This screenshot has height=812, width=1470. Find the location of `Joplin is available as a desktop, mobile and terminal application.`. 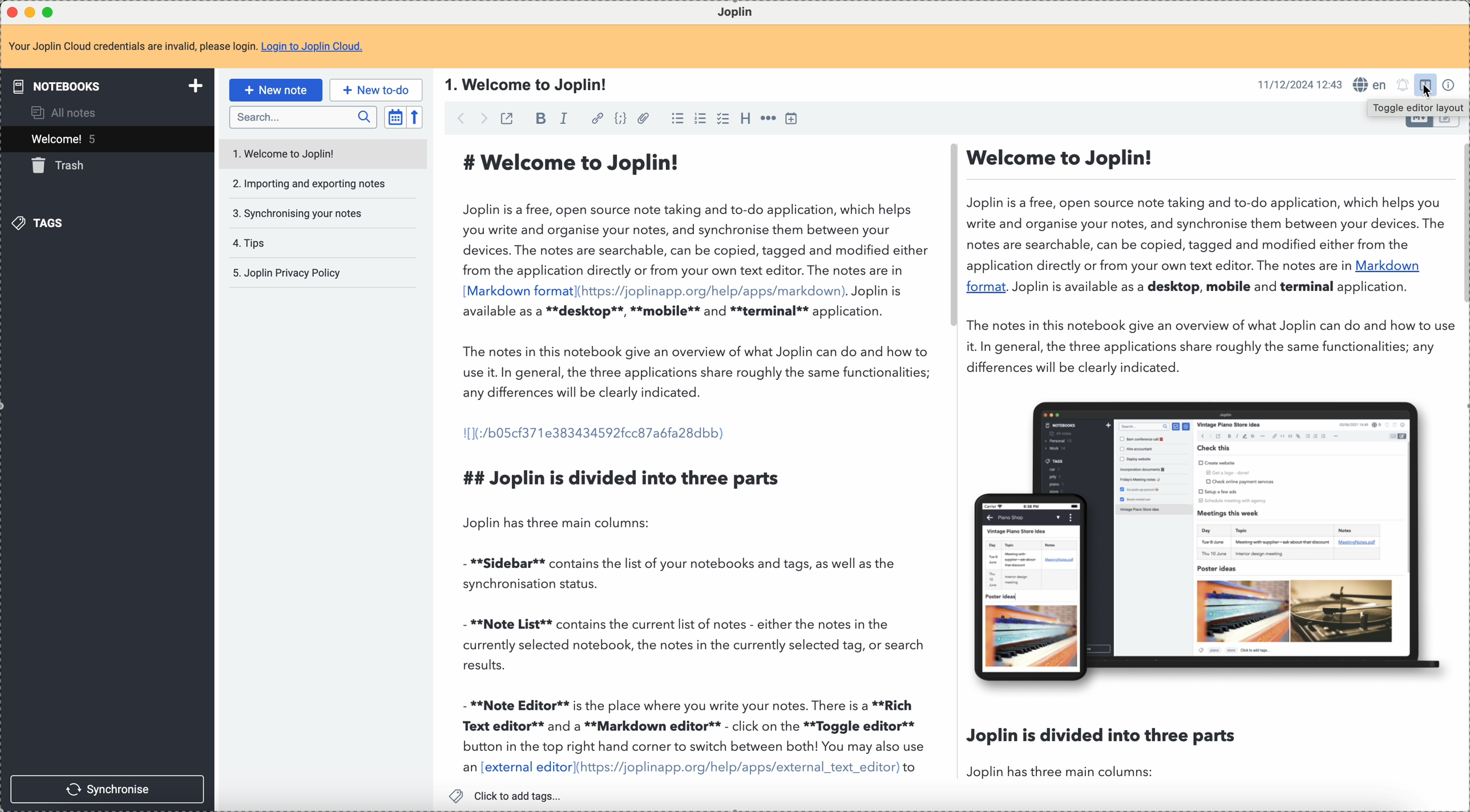

Joplin is available as a desktop, mobile and terminal application. is located at coordinates (1210, 287).